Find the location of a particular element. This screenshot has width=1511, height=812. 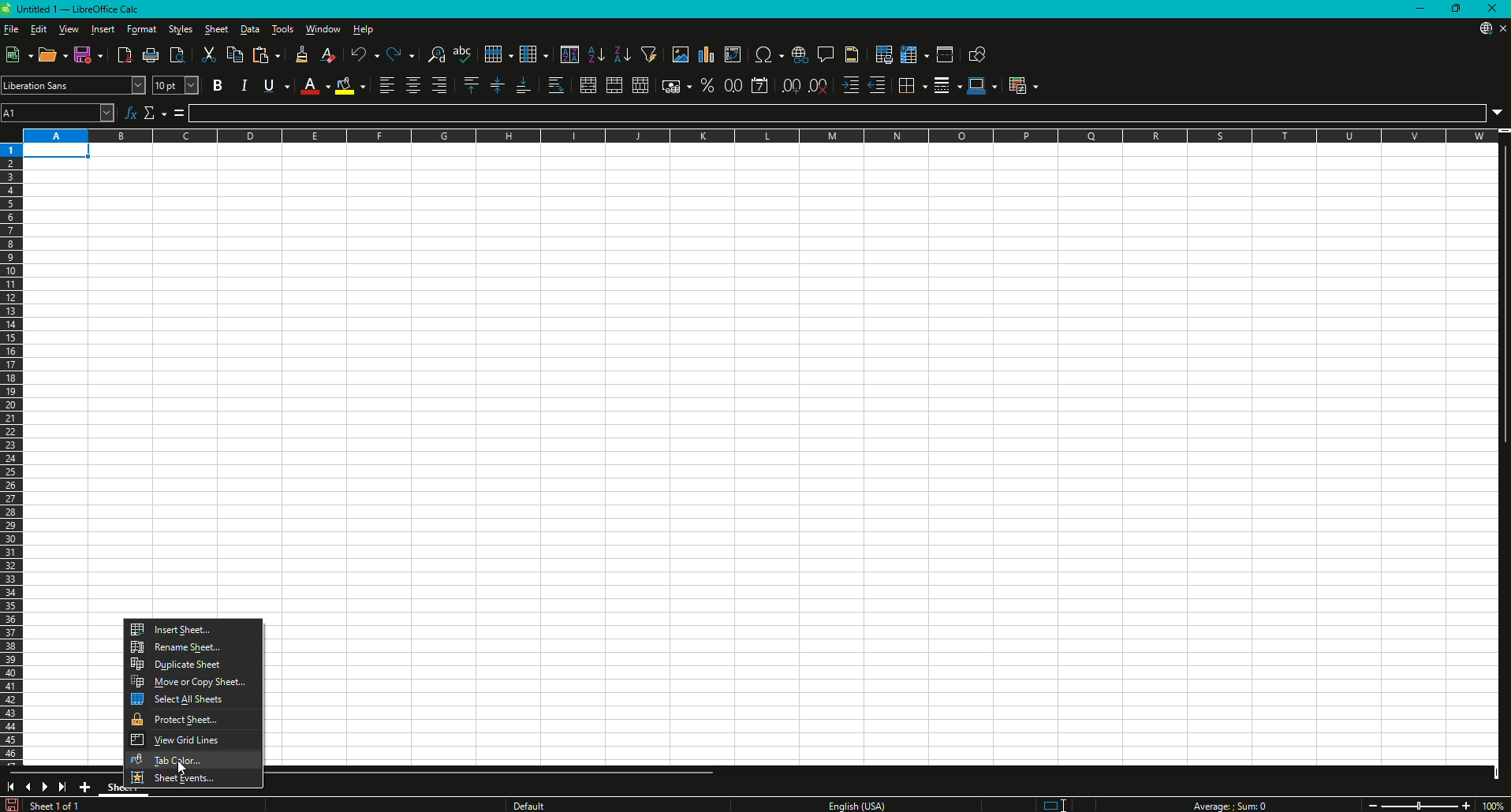

Formula is located at coordinates (180, 113).